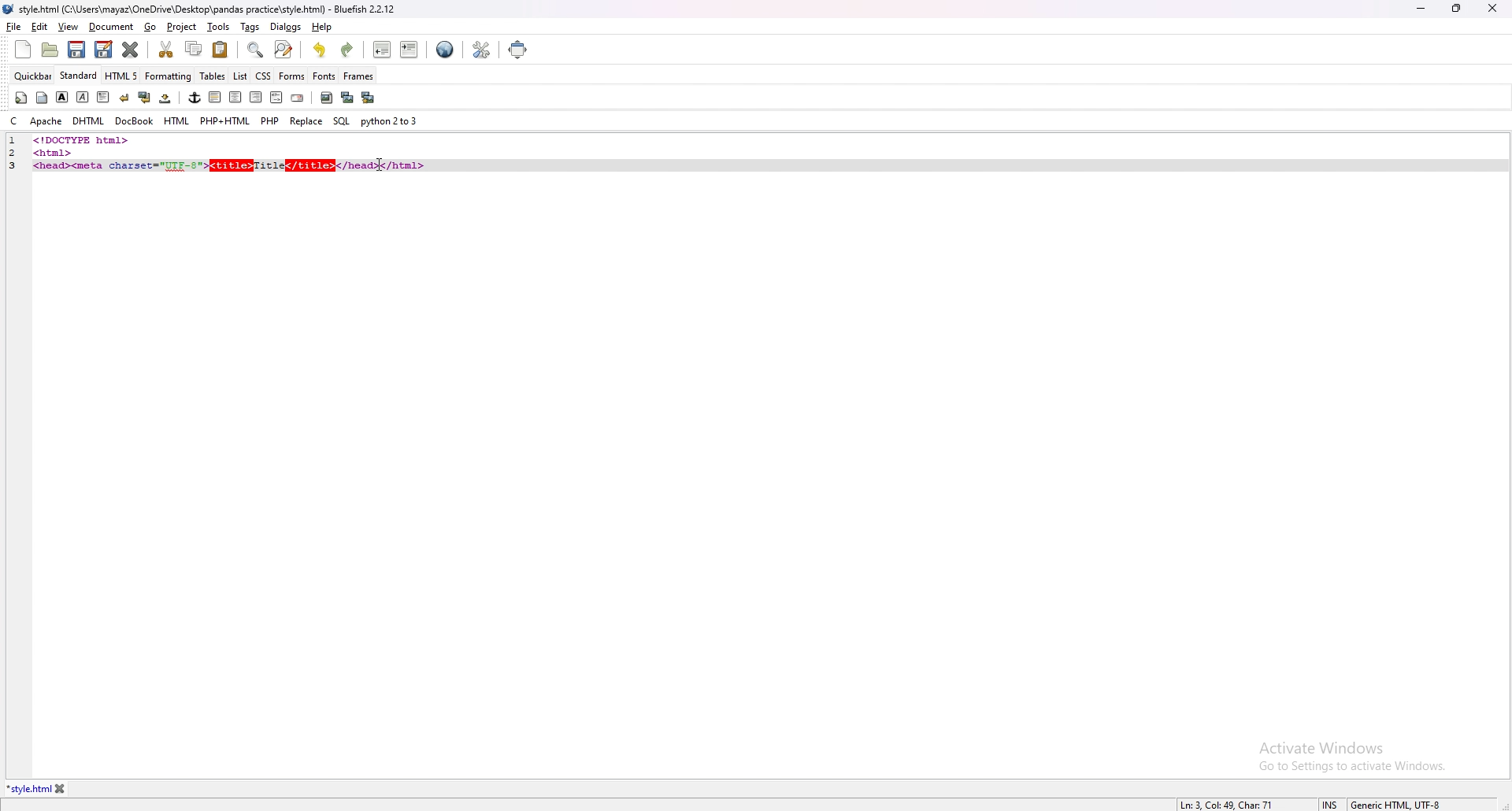  Describe the element at coordinates (68, 27) in the screenshot. I see `view` at that location.